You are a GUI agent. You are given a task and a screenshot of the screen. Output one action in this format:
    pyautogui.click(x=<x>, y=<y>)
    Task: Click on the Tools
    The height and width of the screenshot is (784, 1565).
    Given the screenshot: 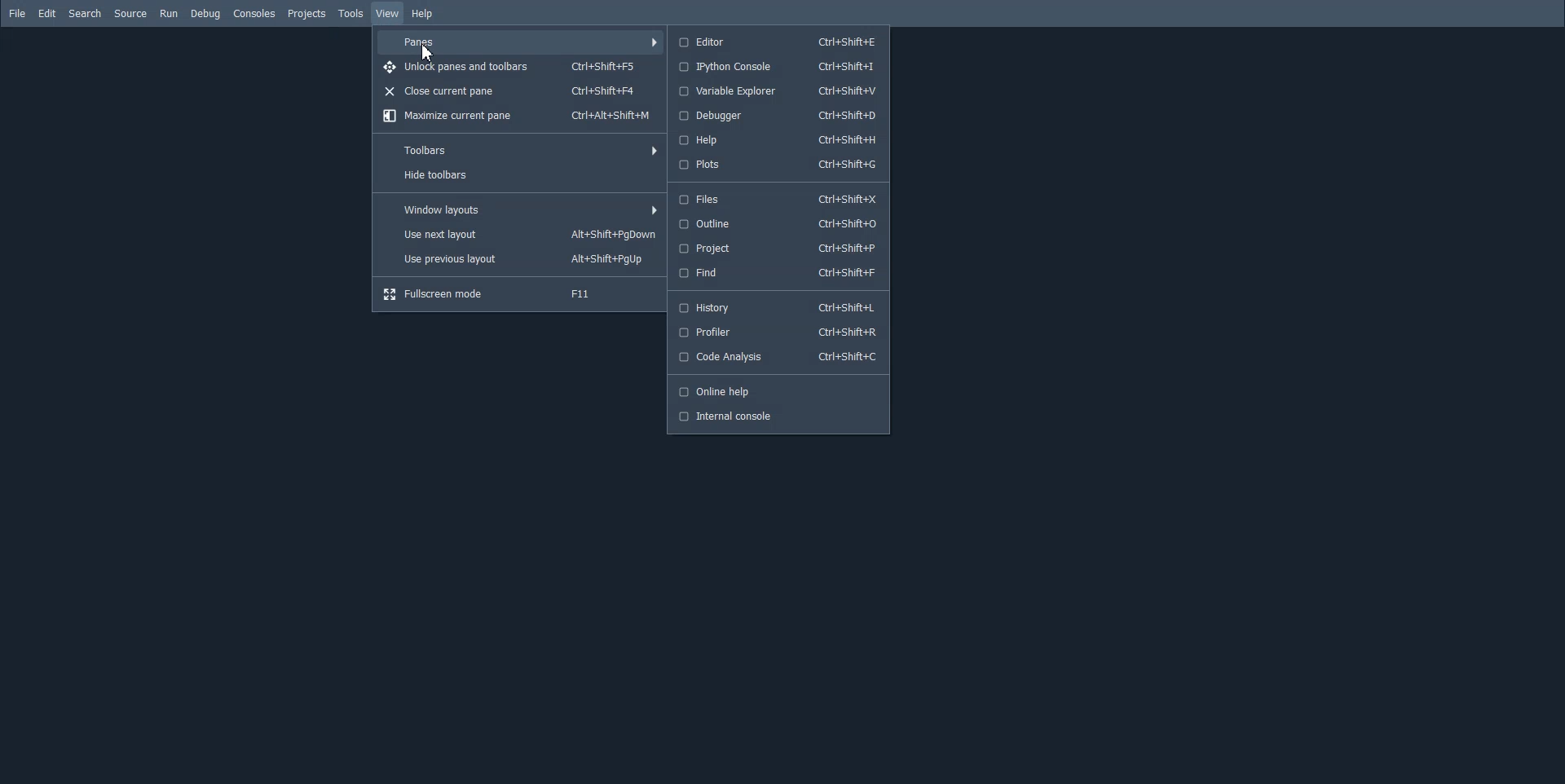 What is the action you would take?
    pyautogui.click(x=350, y=13)
    